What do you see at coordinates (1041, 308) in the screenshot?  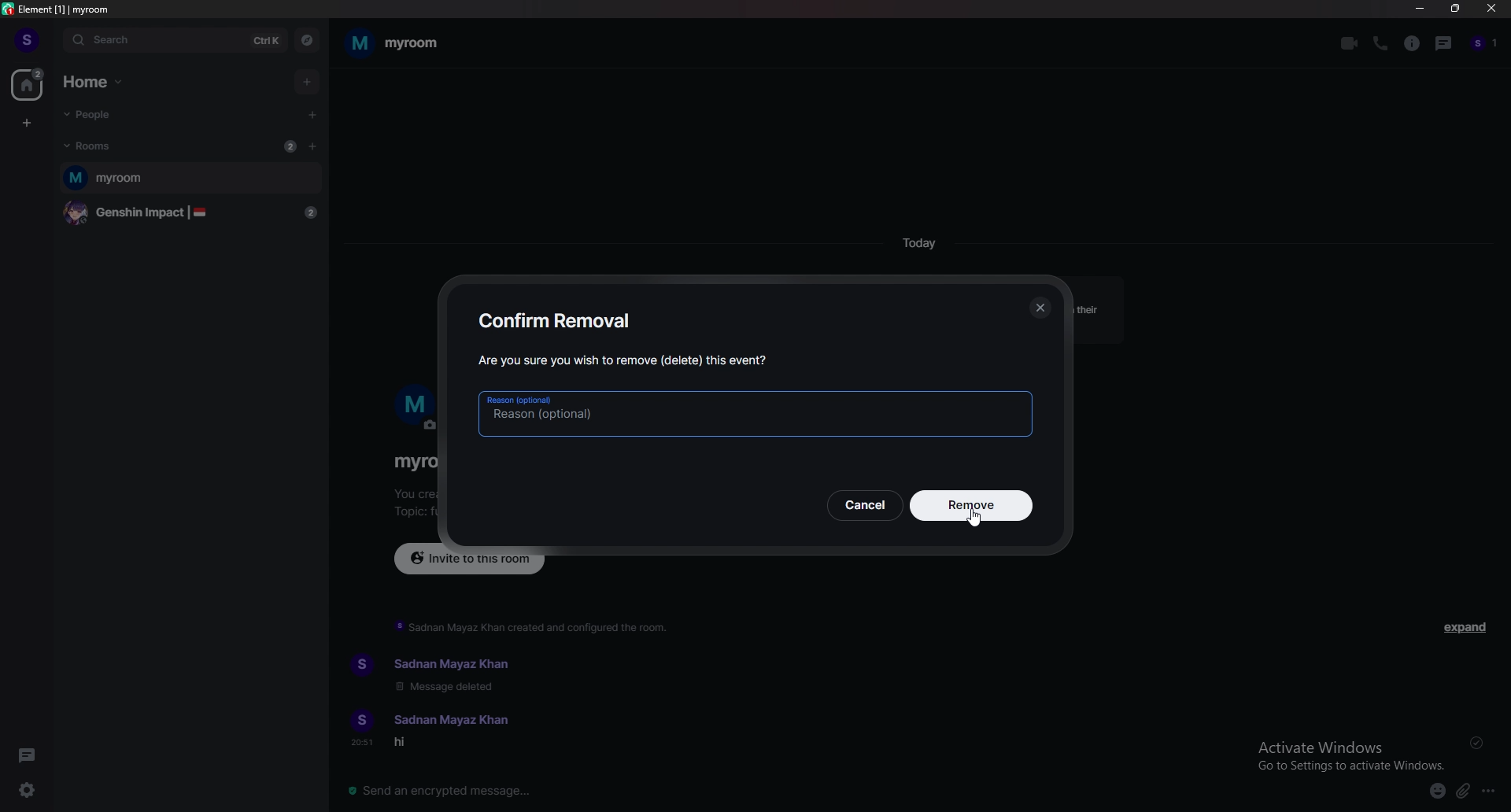 I see `close` at bounding box center [1041, 308].